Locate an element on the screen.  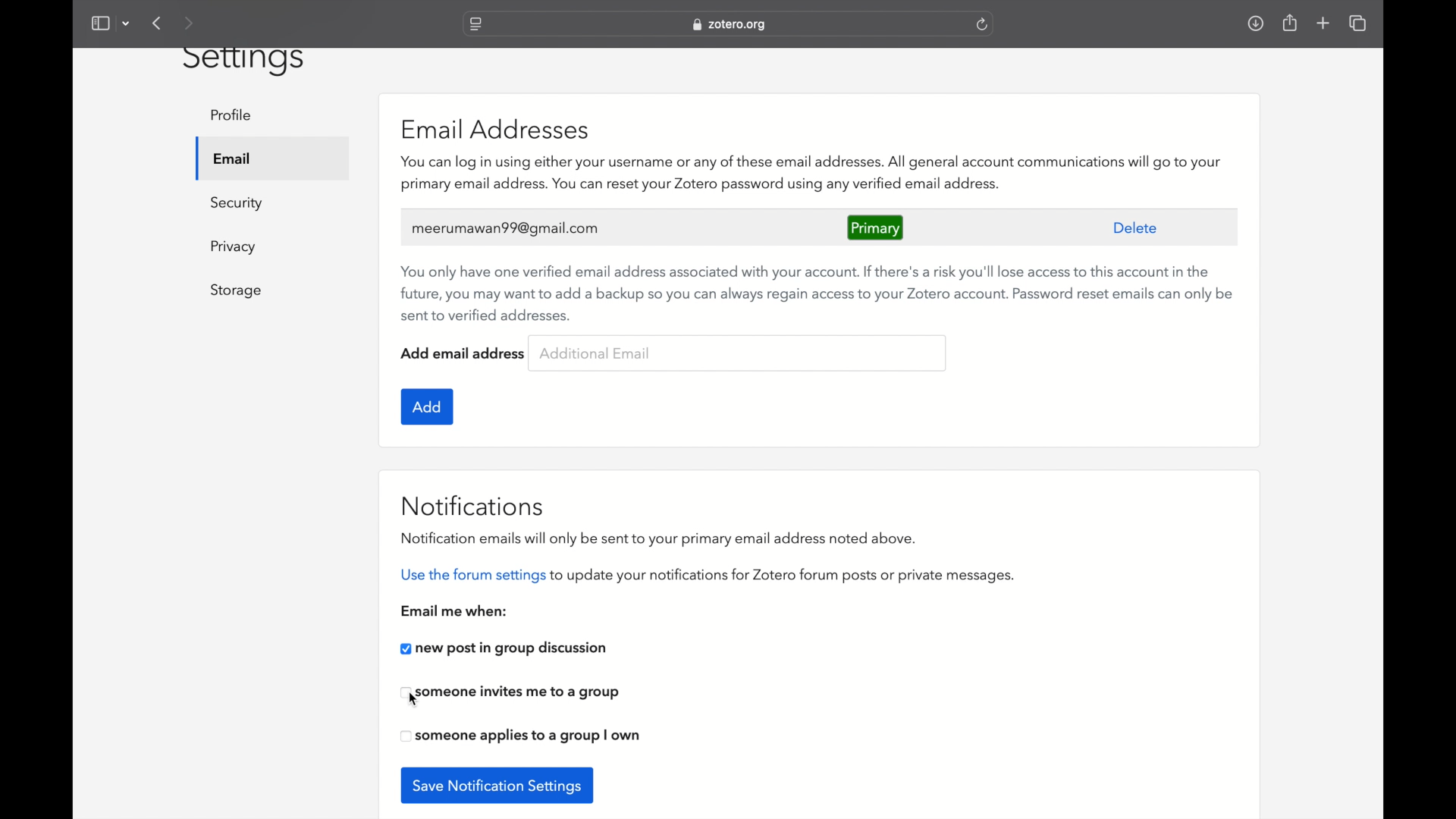
save notification settings is located at coordinates (497, 785).